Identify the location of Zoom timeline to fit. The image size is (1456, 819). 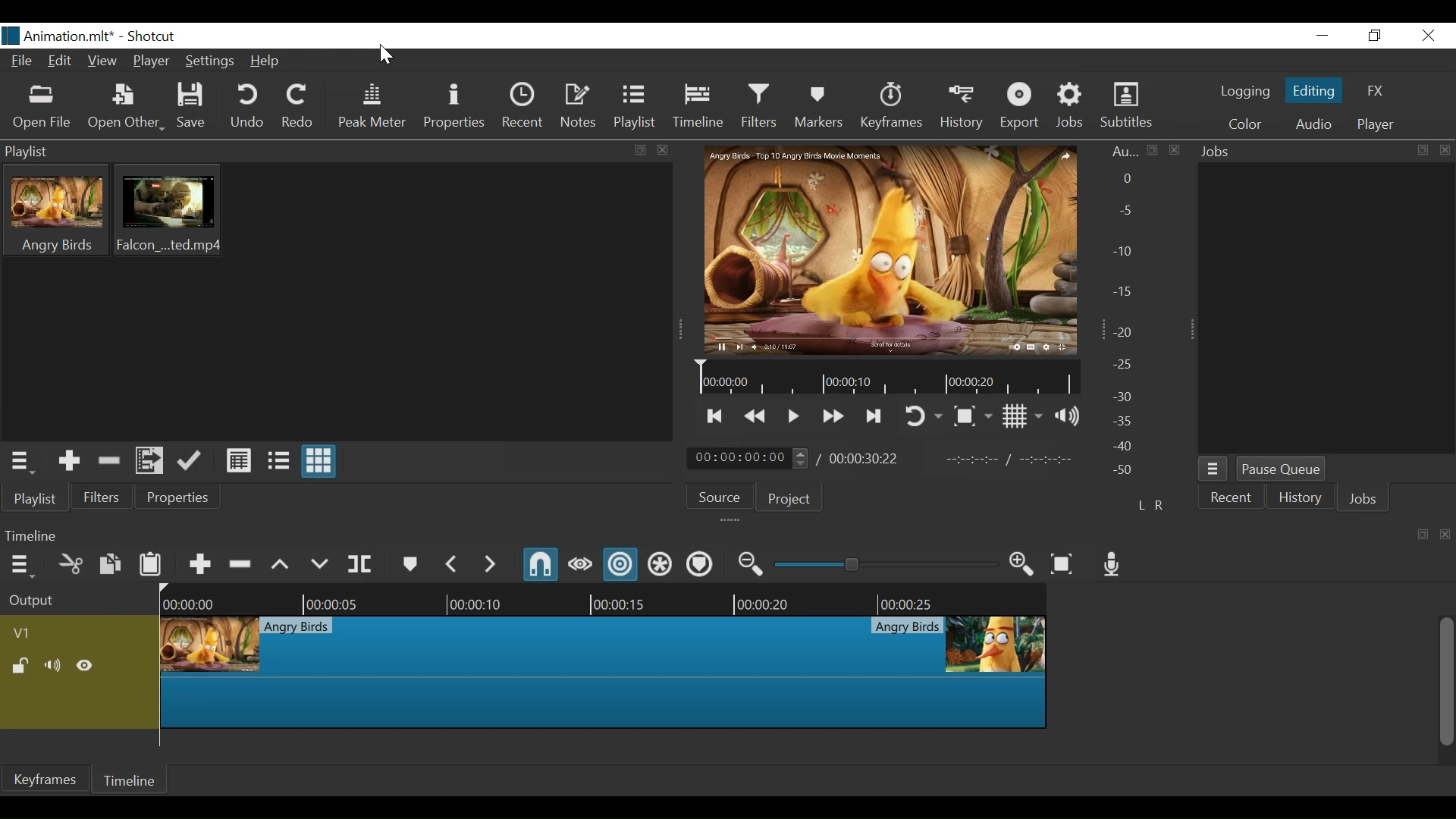
(1064, 563).